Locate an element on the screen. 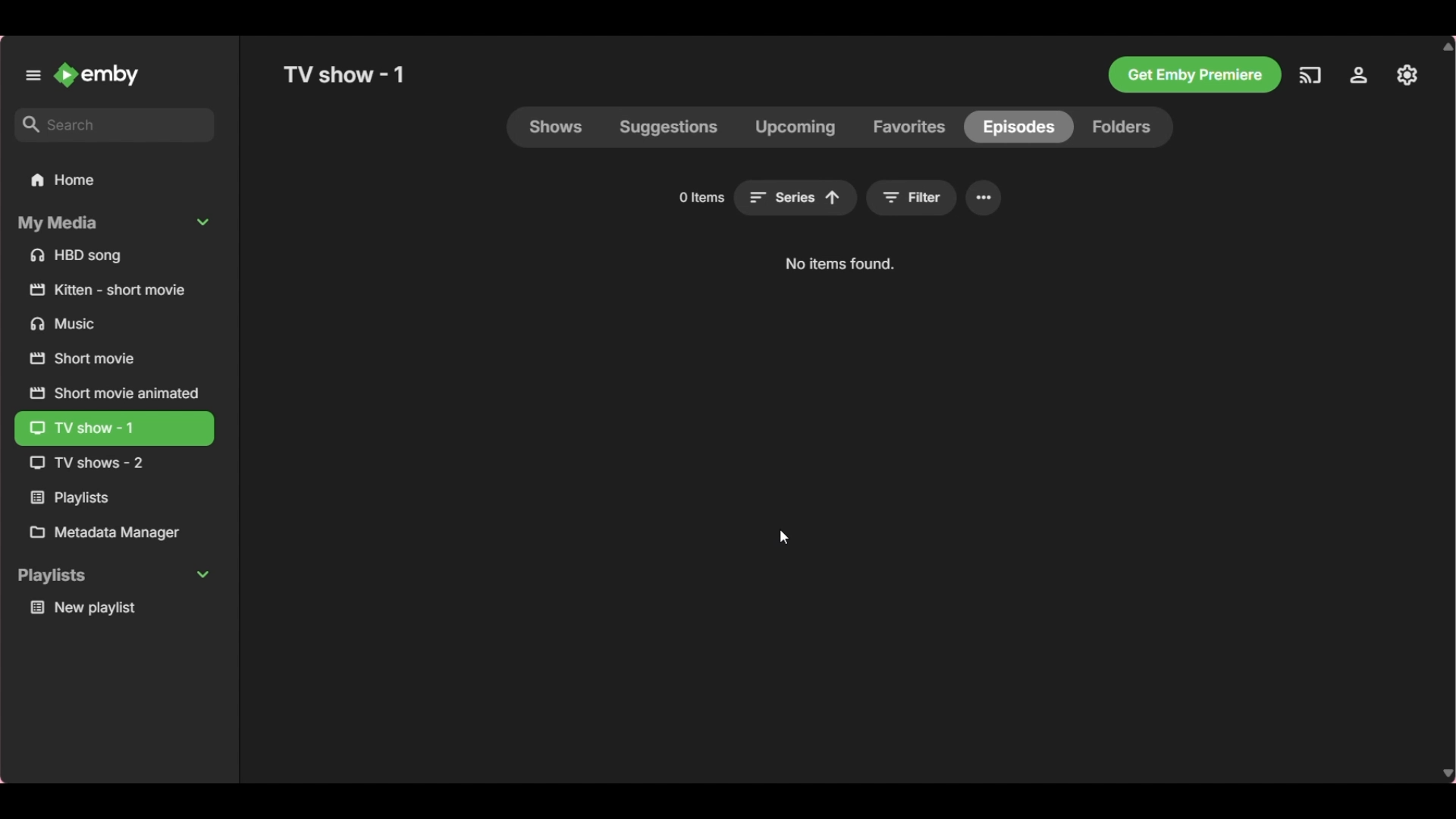  Indicates episode was deleted is located at coordinates (840, 265).